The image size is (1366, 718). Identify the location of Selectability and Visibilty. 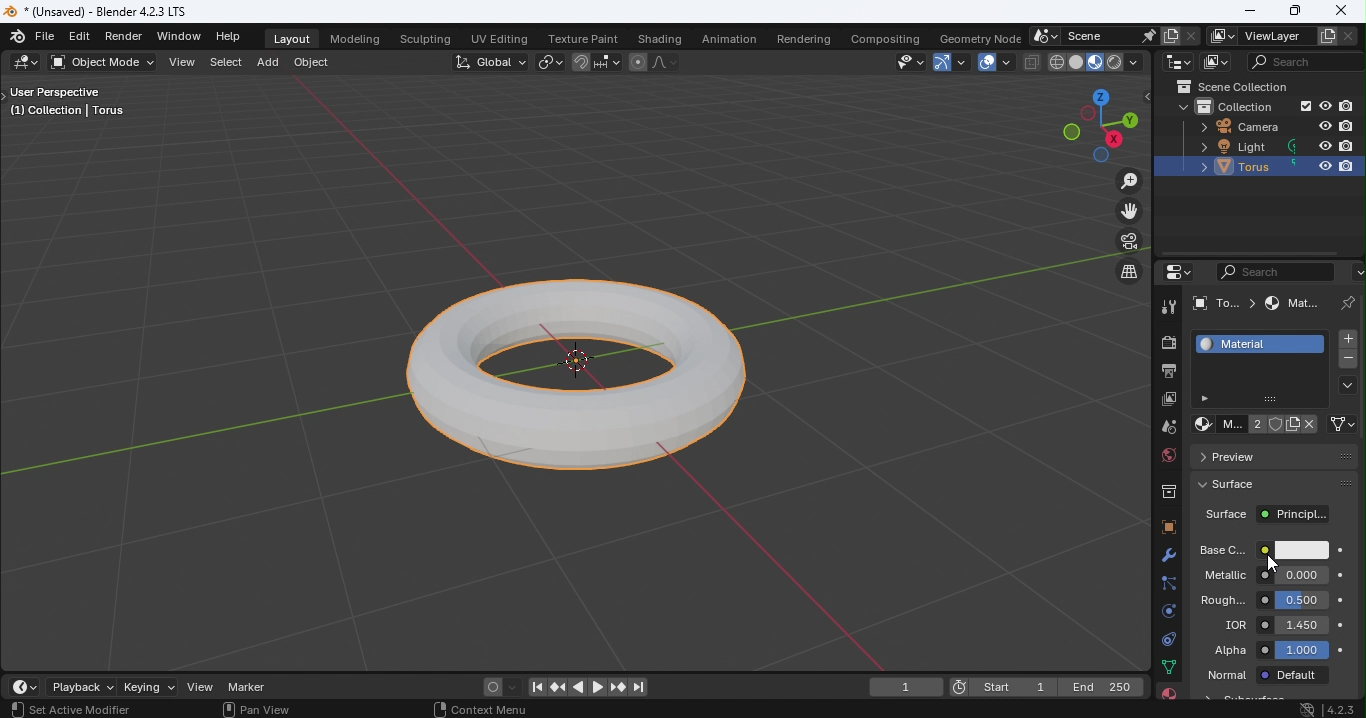
(882, 63).